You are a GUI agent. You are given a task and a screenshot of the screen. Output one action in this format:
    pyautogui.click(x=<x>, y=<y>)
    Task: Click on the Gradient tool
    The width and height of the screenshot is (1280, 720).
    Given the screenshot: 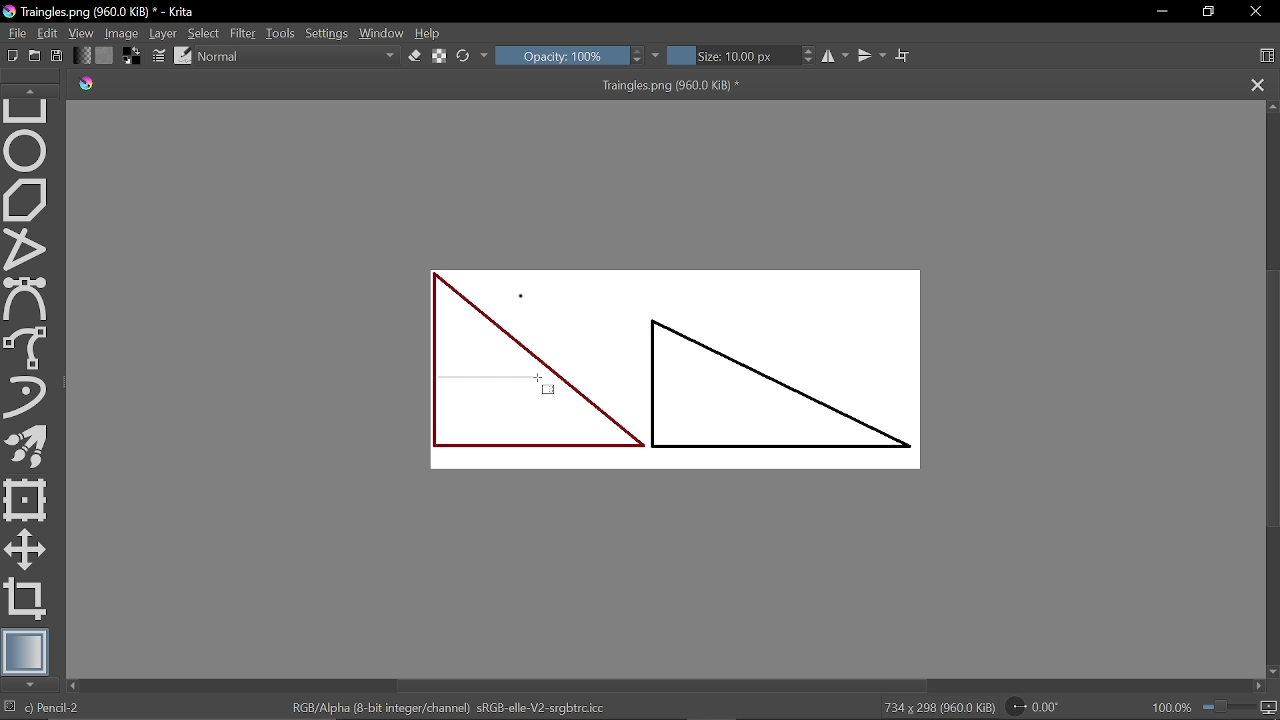 What is the action you would take?
    pyautogui.click(x=26, y=651)
    